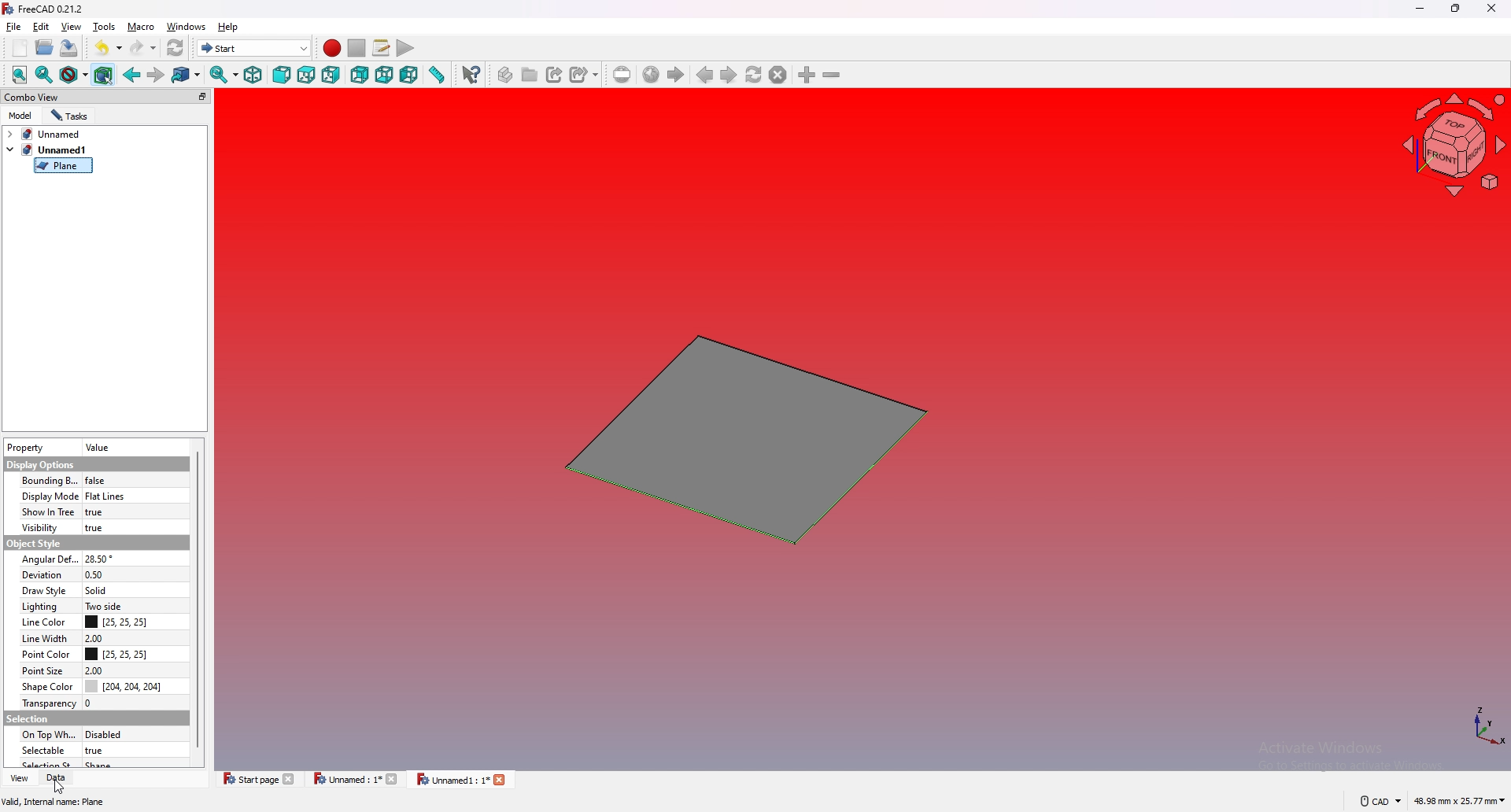 This screenshot has height=812, width=1511. Describe the element at coordinates (461, 781) in the screenshot. I see `Unnamed 1 : 1*` at that location.